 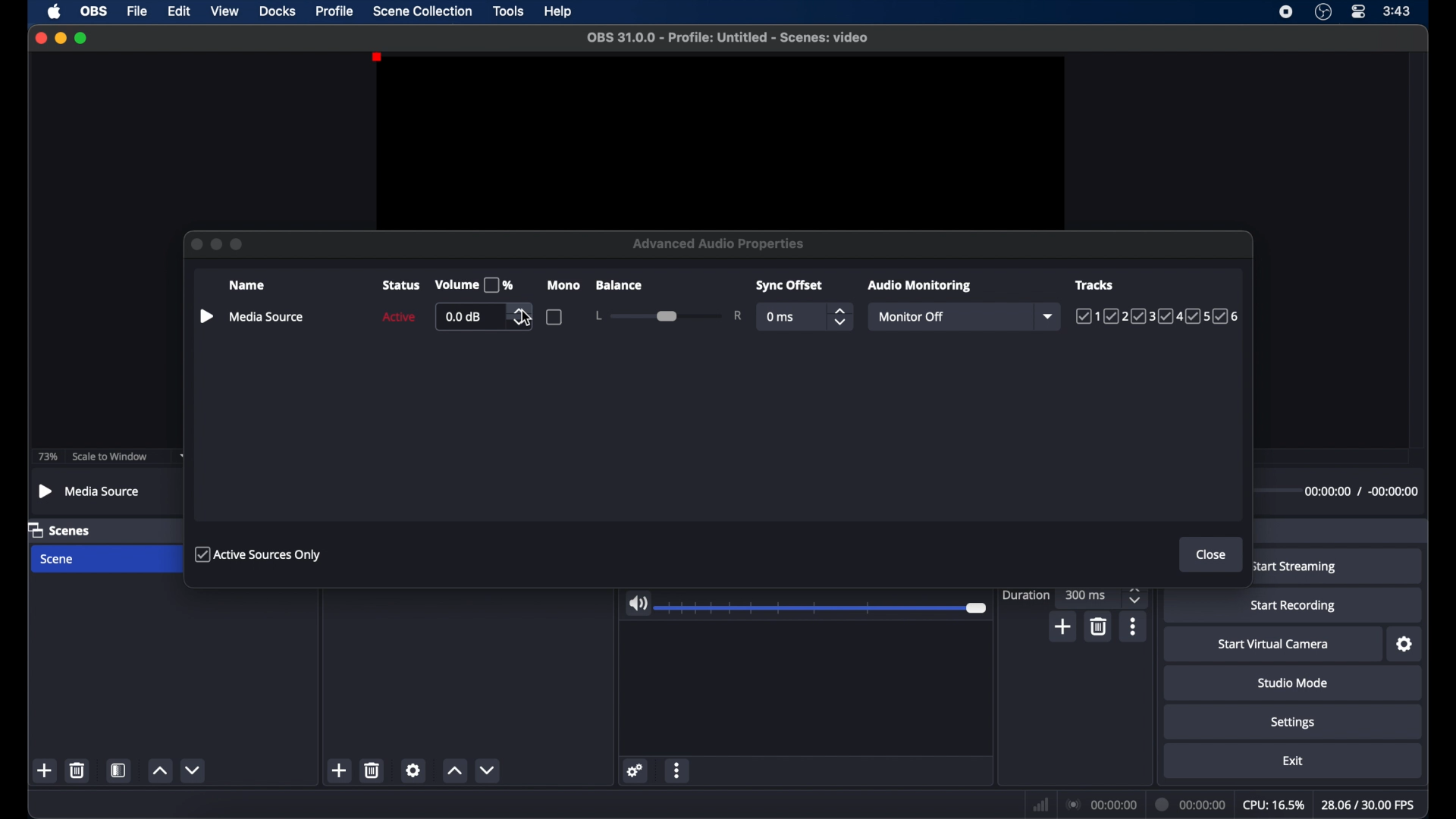 I want to click on minimize, so click(x=60, y=37).